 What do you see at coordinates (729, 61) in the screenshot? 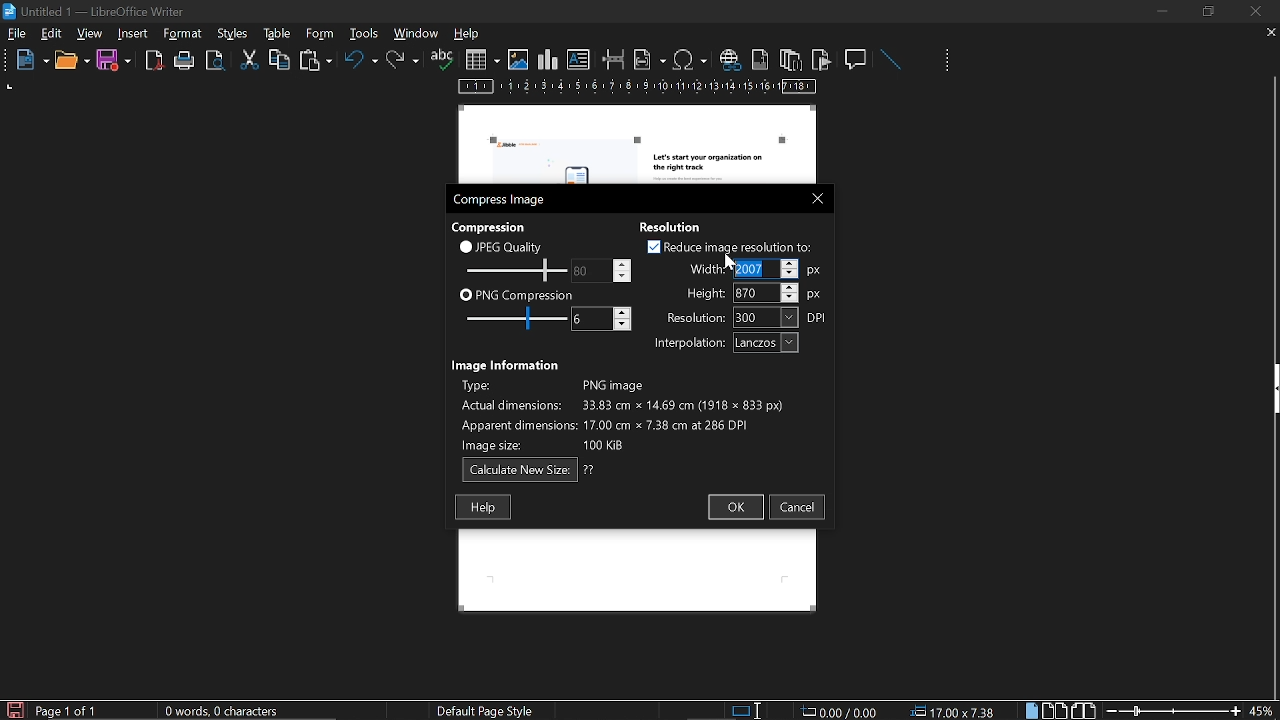
I see `insert hyperlink` at bounding box center [729, 61].